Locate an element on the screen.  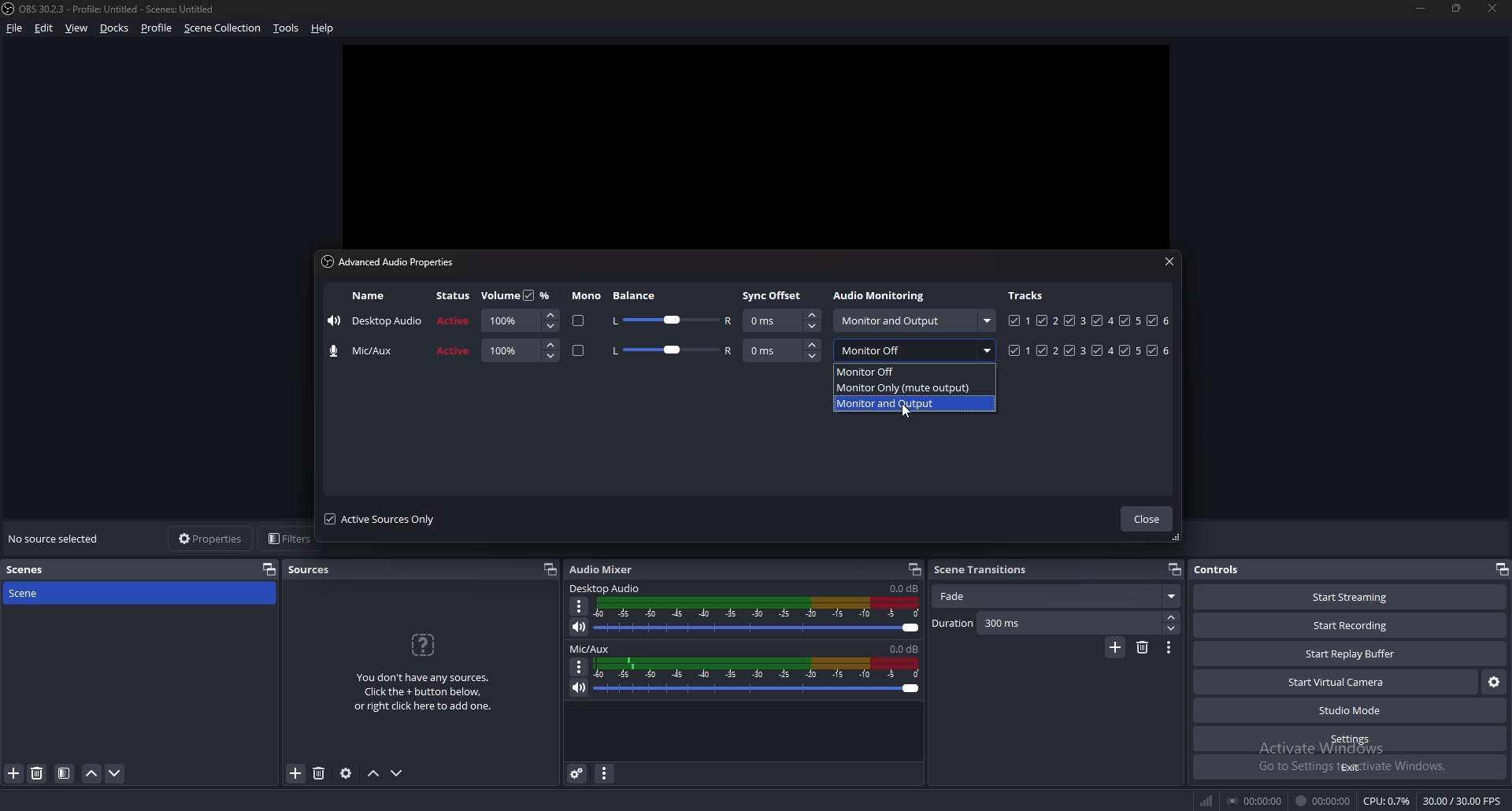
balance is located at coordinates (639, 295).